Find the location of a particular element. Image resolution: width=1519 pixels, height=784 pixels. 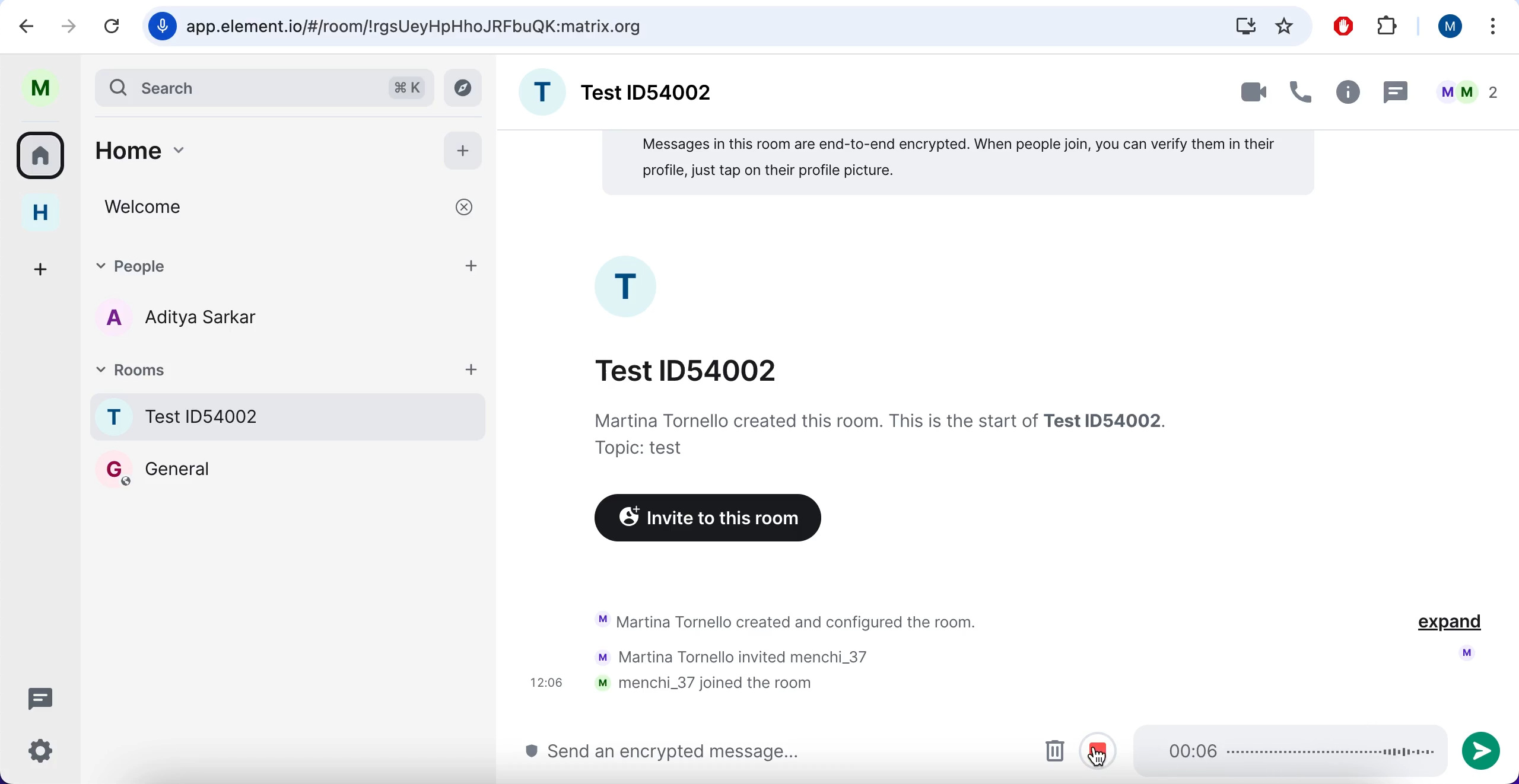

people is located at coordinates (290, 265).